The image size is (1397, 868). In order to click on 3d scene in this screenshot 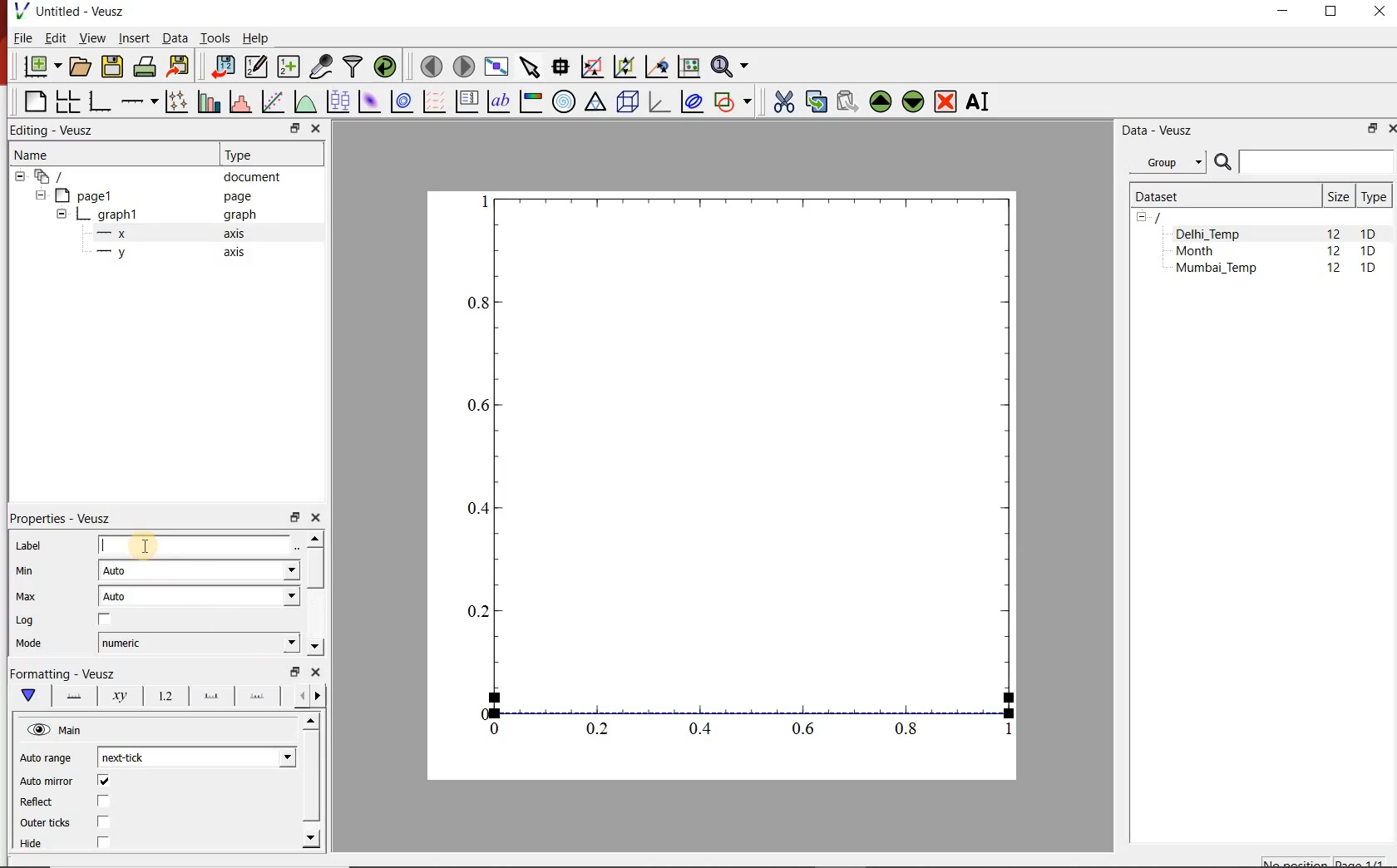, I will do `click(626, 102)`.